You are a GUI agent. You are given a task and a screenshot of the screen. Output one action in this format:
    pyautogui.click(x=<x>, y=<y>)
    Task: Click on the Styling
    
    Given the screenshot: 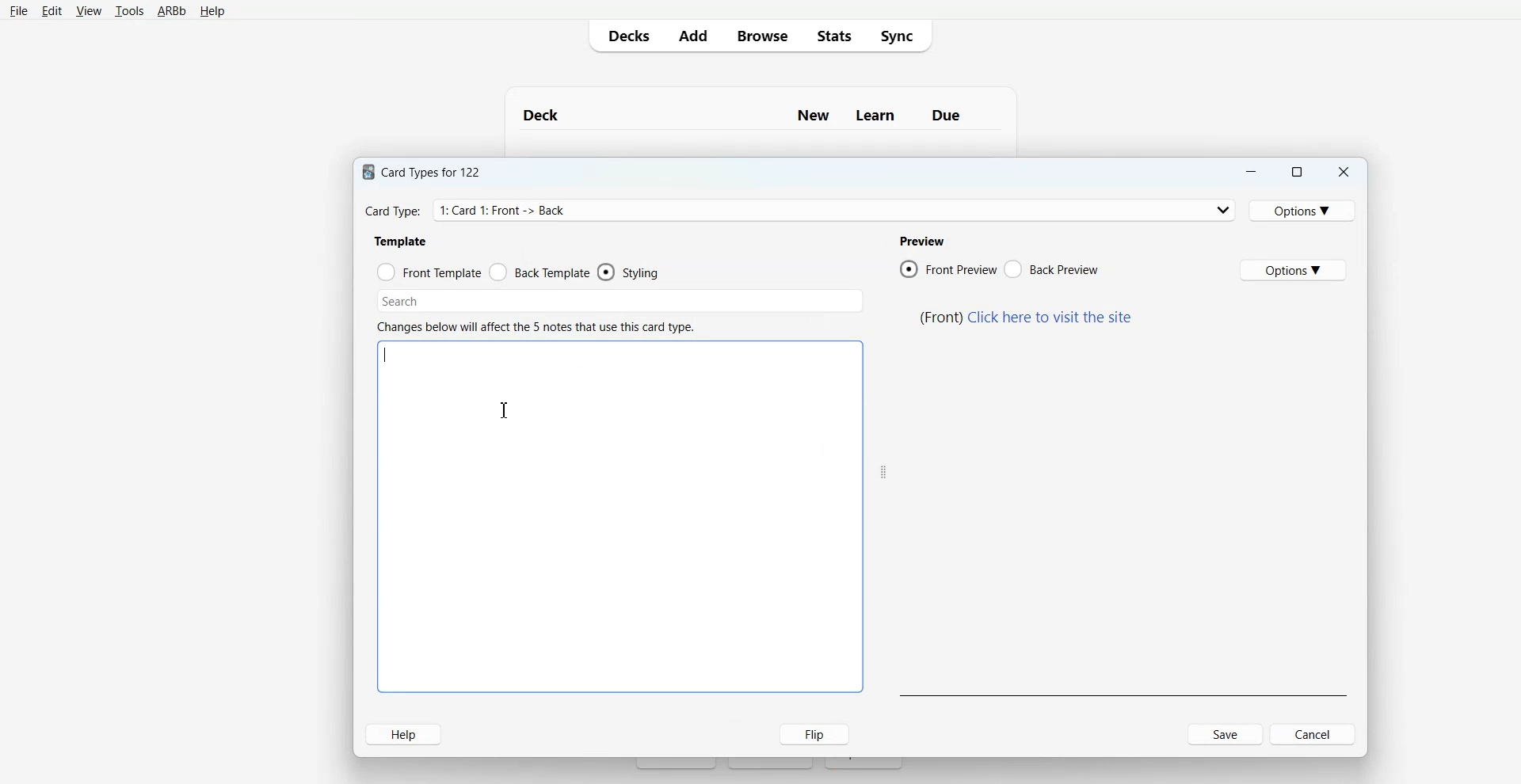 What is the action you would take?
    pyautogui.click(x=631, y=272)
    